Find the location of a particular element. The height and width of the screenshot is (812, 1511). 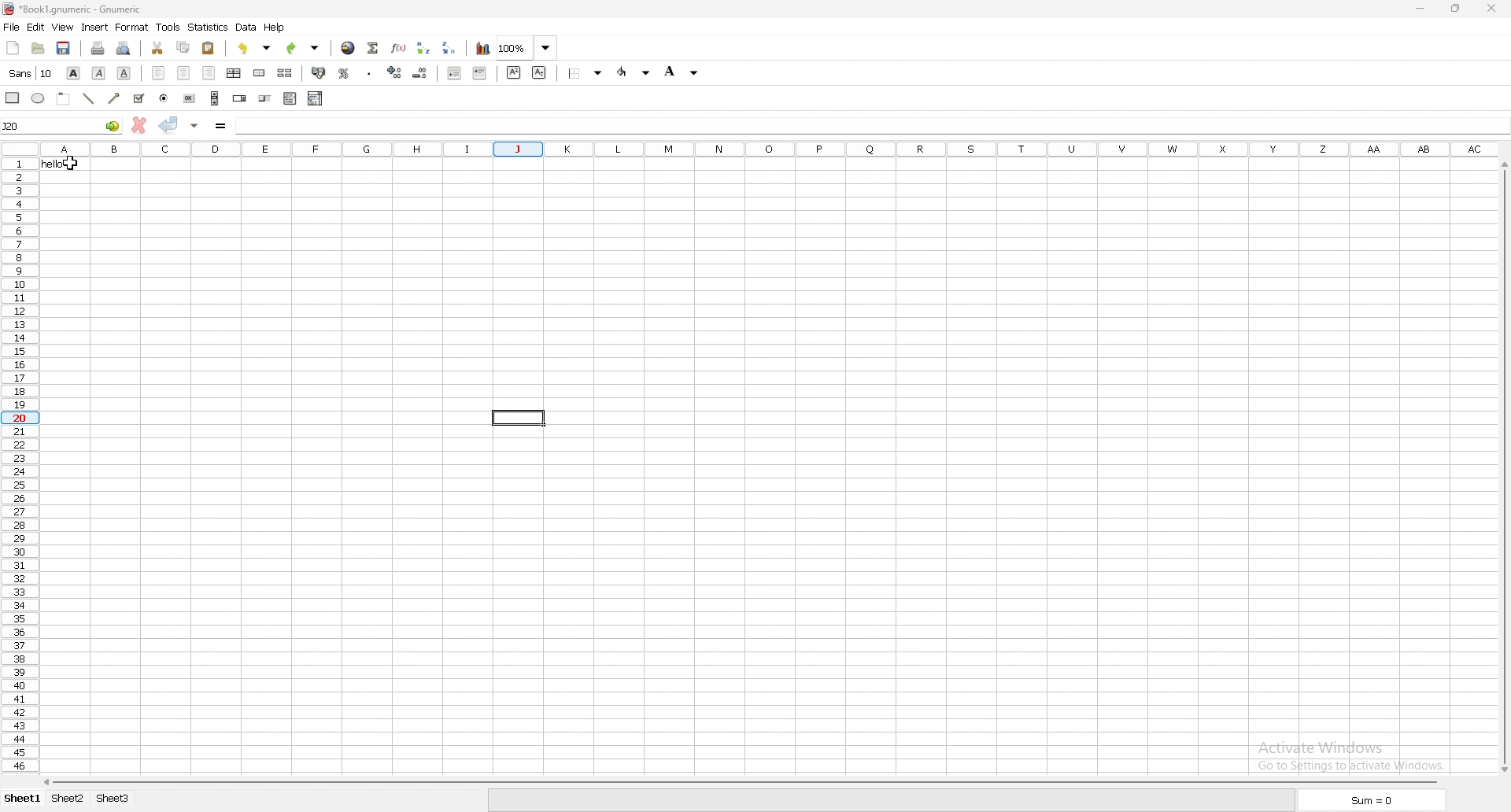

list is located at coordinates (290, 98).